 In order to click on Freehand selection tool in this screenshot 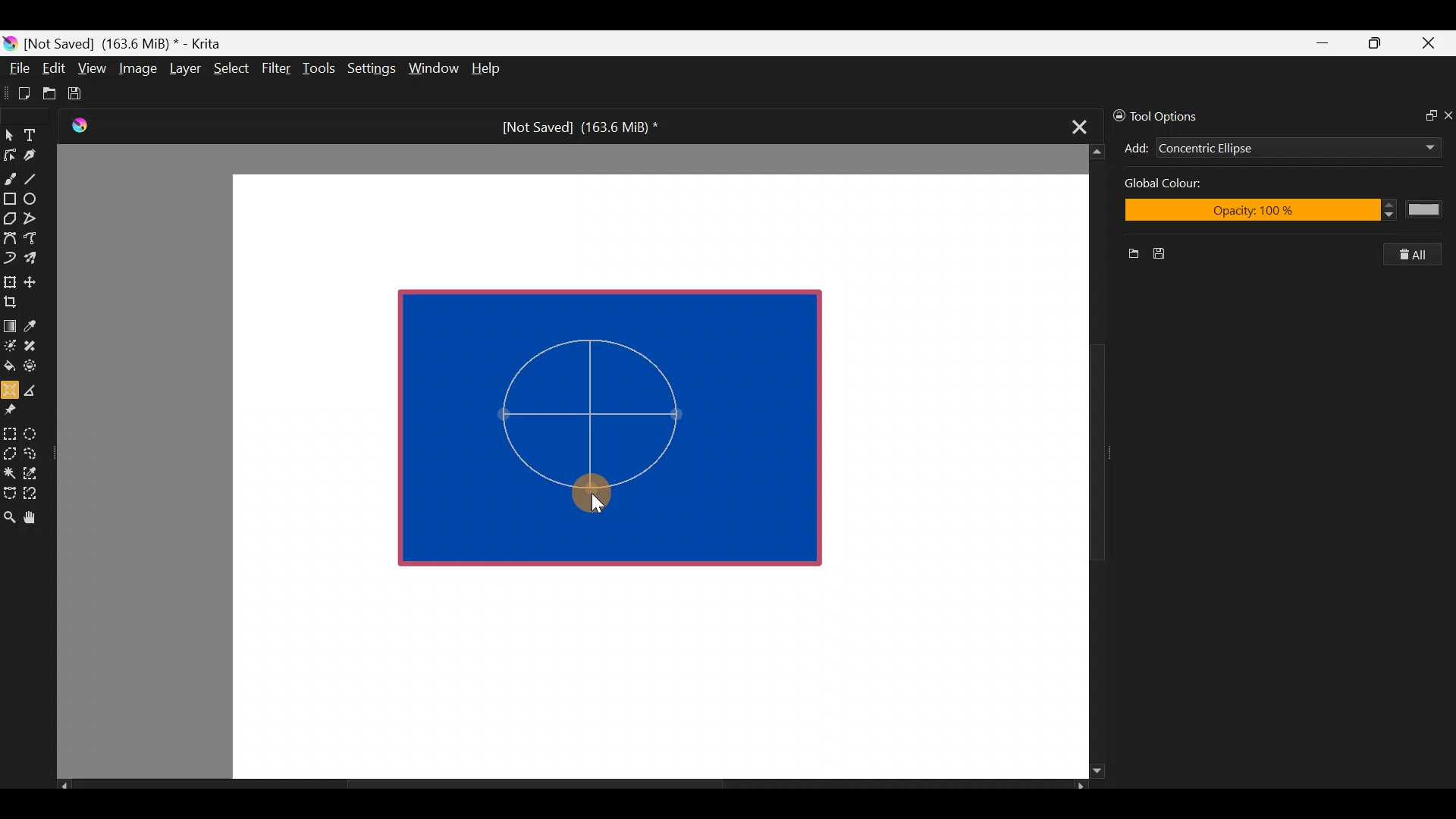, I will do `click(33, 452)`.